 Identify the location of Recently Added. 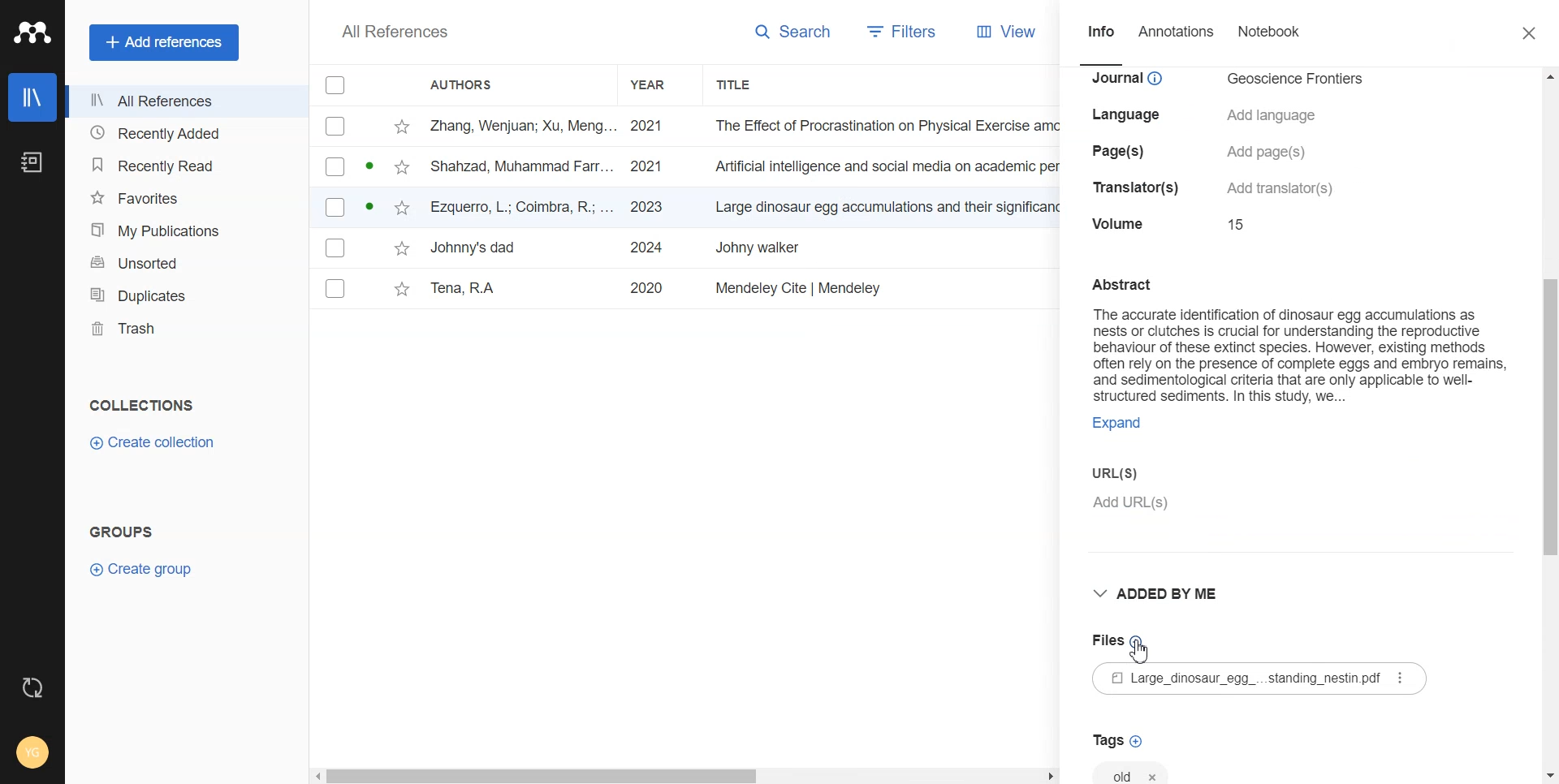
(185, 132).